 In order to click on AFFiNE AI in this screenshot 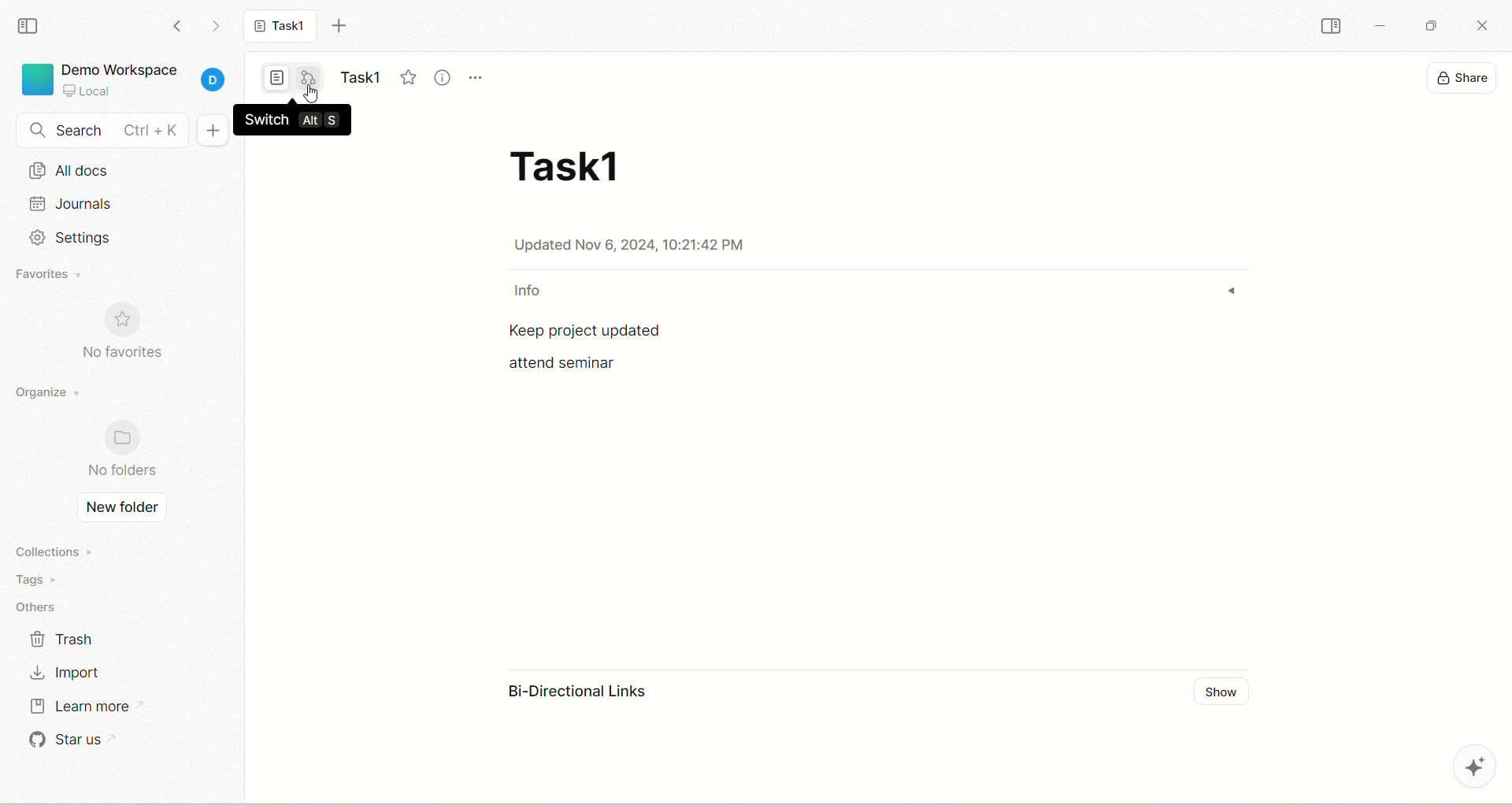, I will do `click(1477, 763)`.